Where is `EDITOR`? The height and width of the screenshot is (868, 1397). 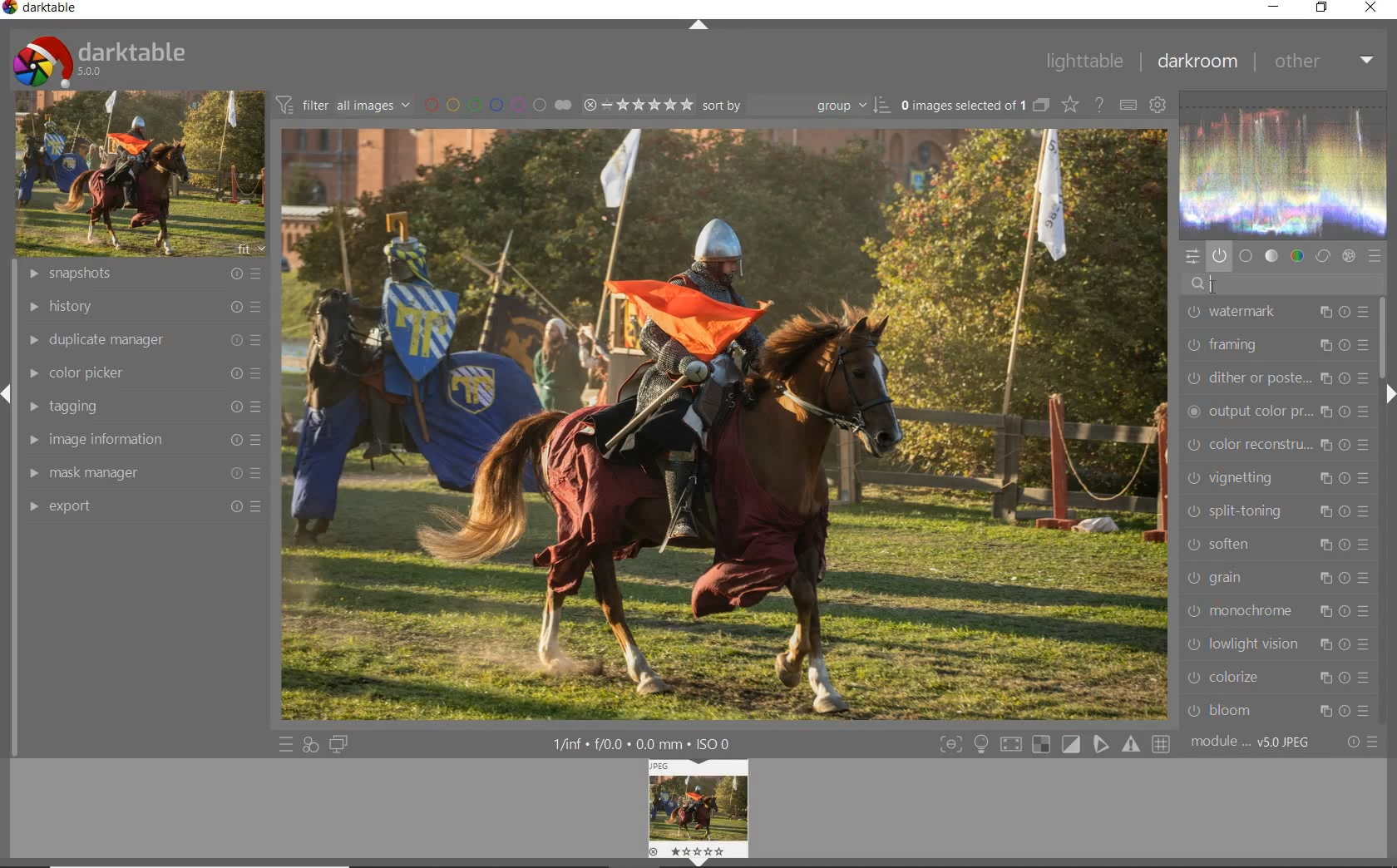 EDITOR is located at coordinates (1211, 287).